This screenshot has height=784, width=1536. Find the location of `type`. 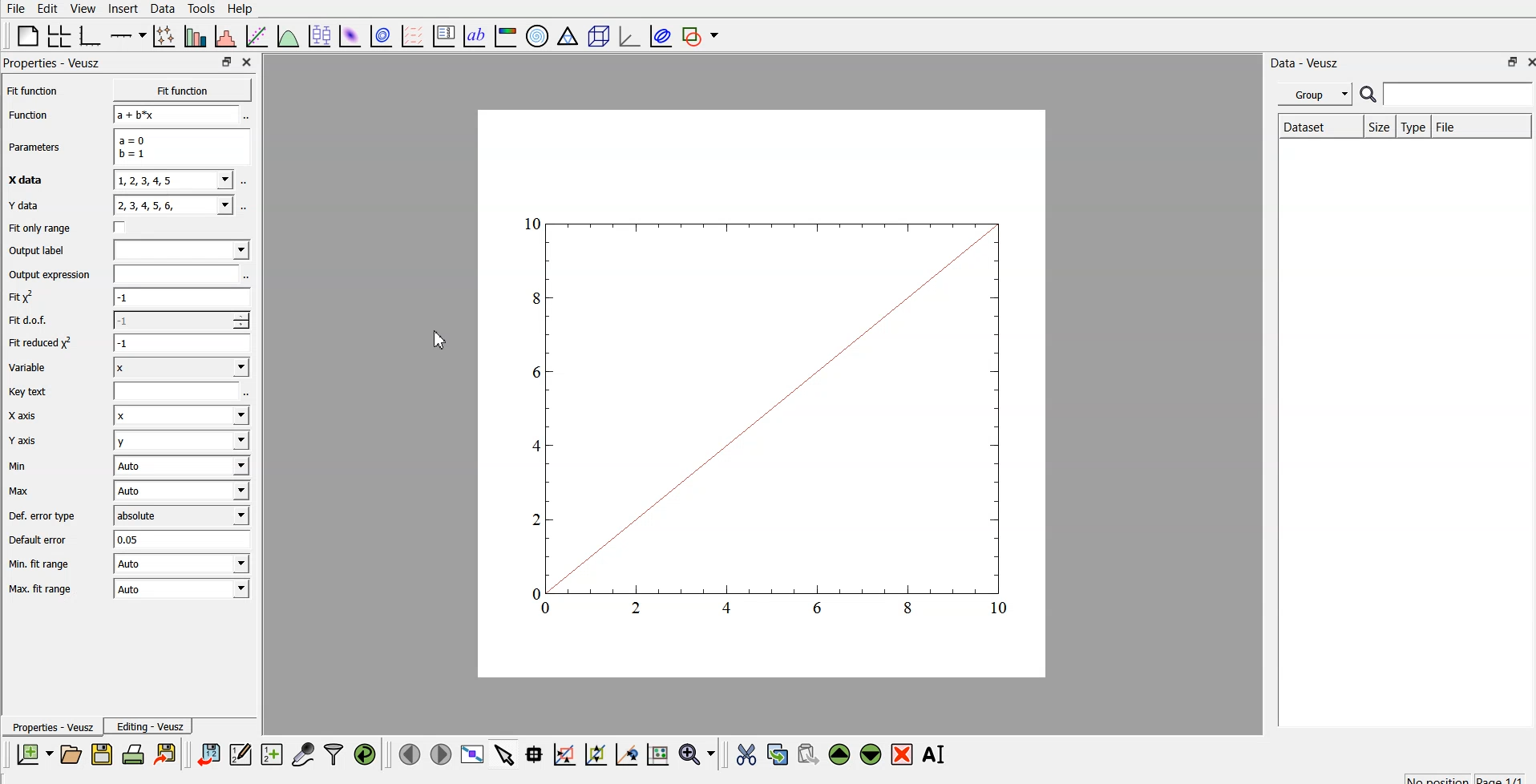

type is located at coordinates (1413, 127).